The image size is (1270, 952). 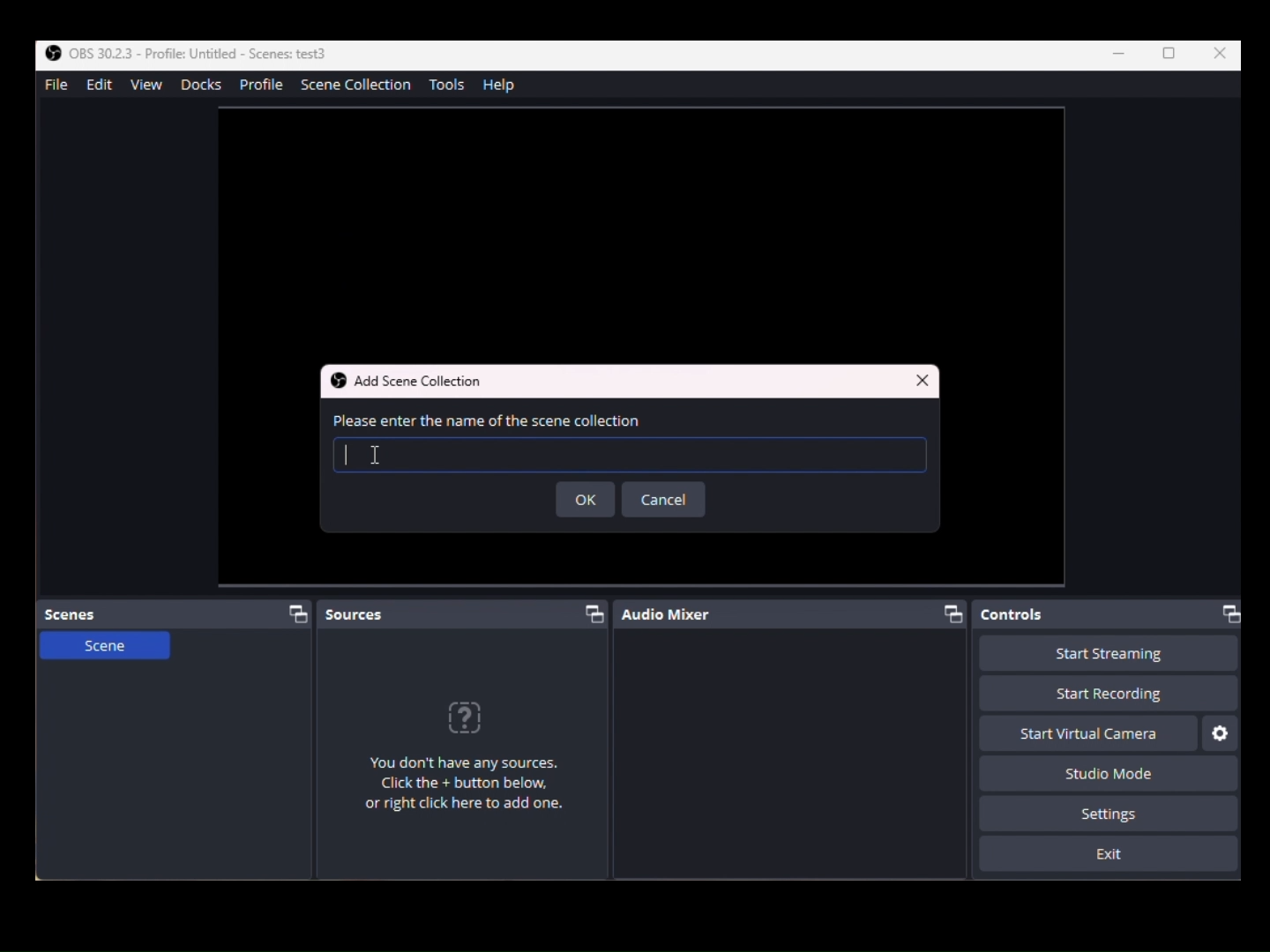 What do you see at coordinates (182, 53) in the screenshot?
I see `OBS` at bounding box center [182, 53].